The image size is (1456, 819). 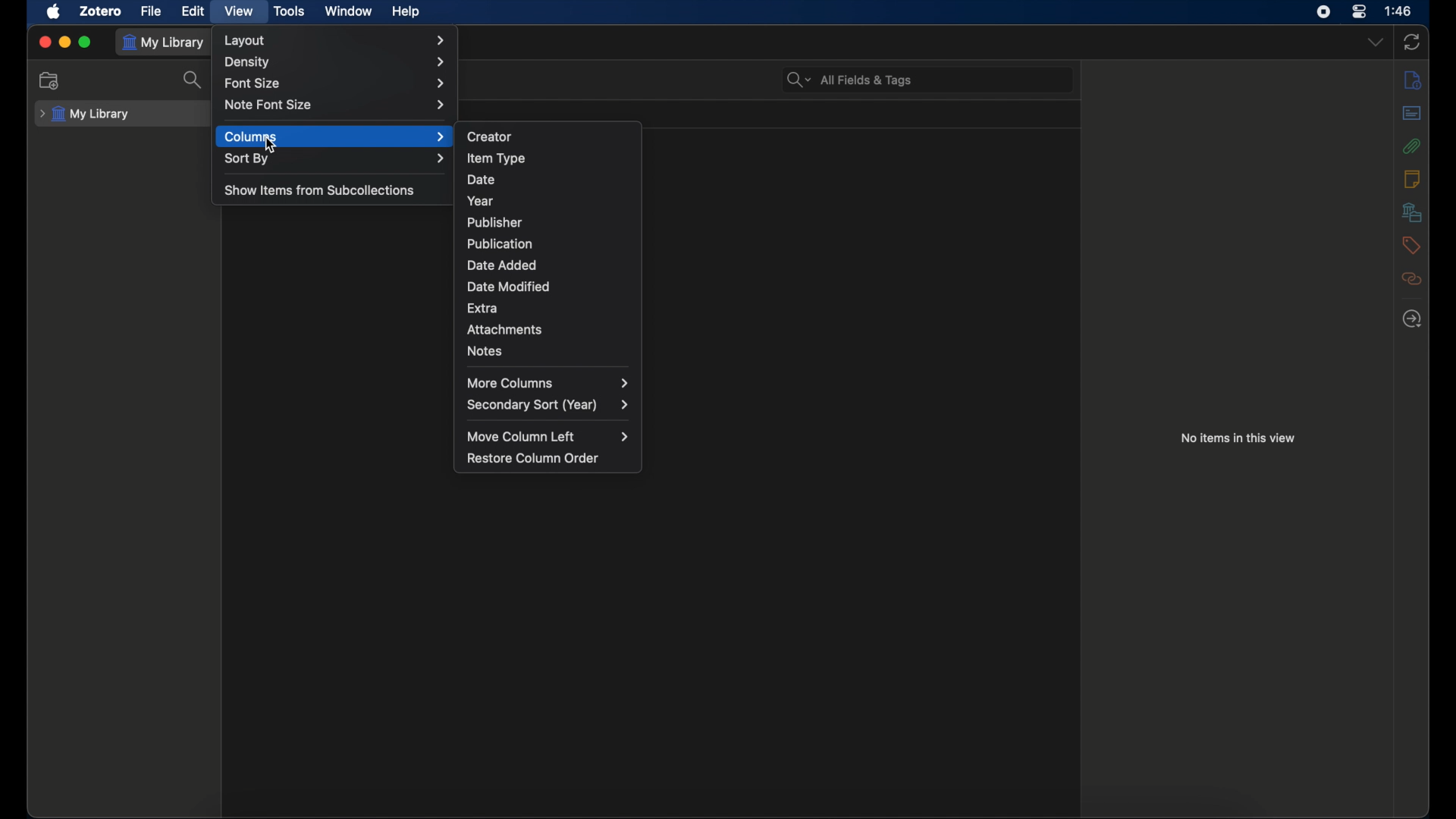 What do you see at coordinates (64, 42) in the screenshot?
I see `minimize` at bounding box center [64, 42].